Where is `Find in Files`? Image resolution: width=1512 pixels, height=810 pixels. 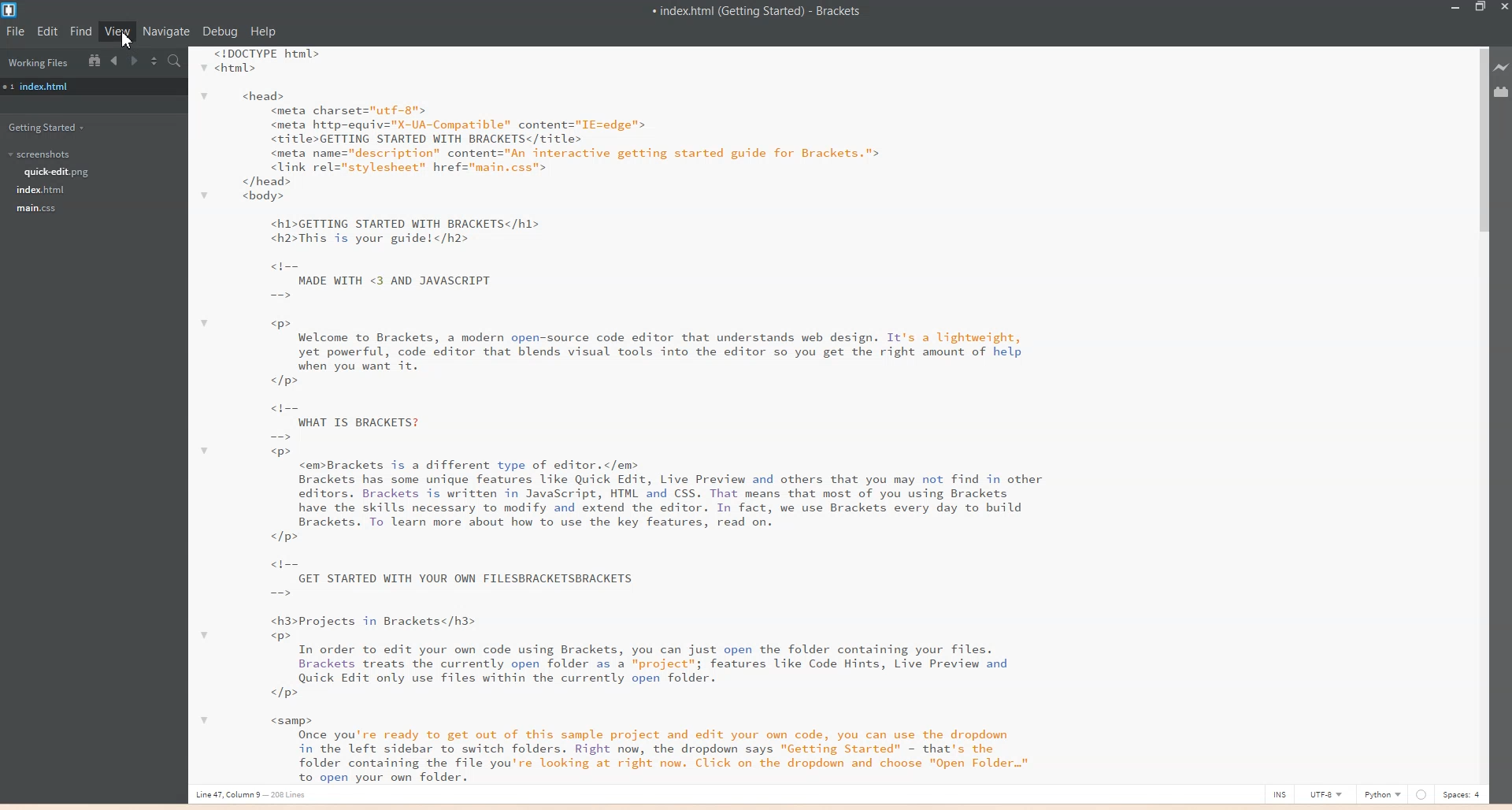
Find in Files is located at coordinates (176, 61).